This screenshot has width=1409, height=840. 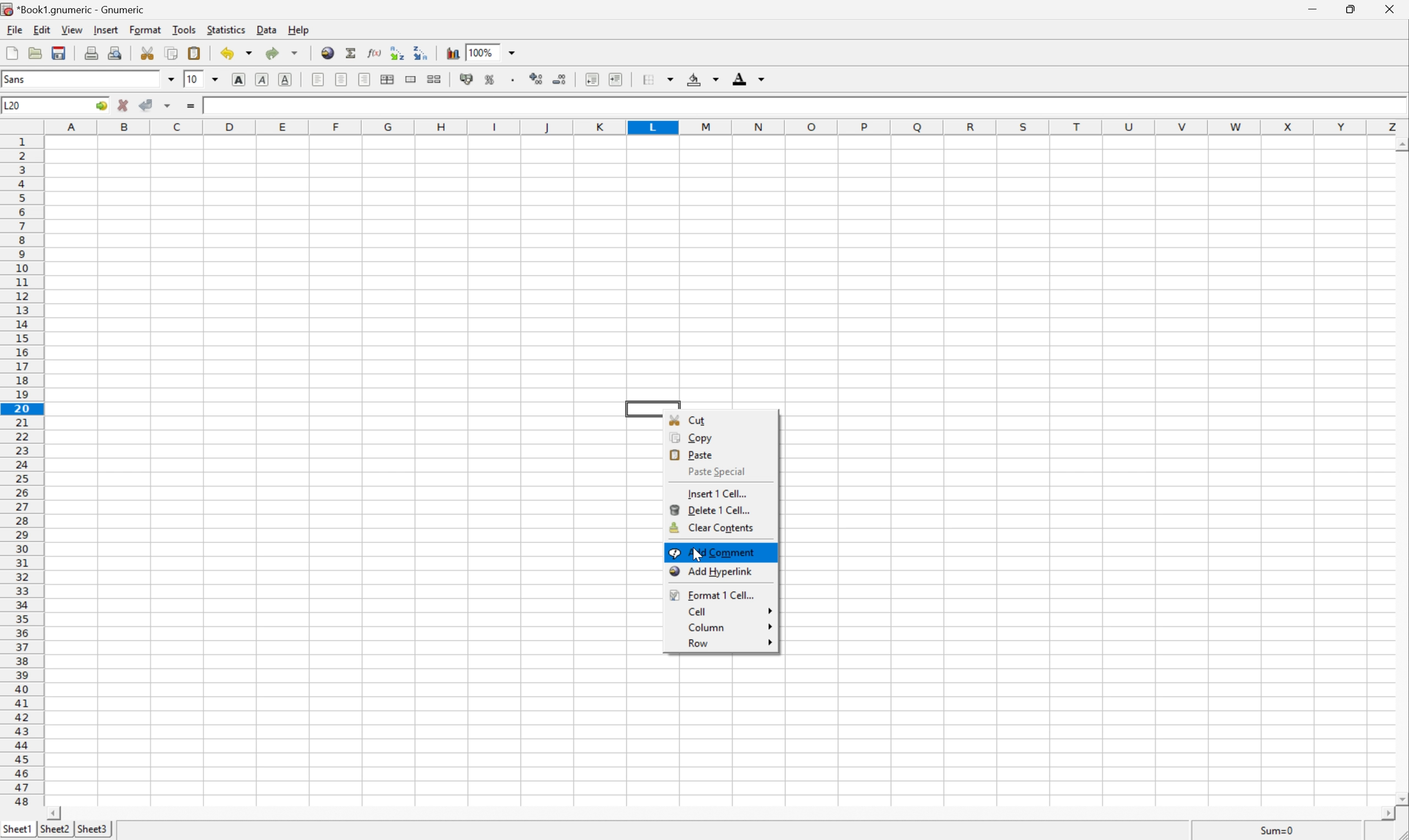 What do you see at coordinates (150, 52) in the screenshot?
I see `Cut selection` at bounding box center [150, 52].